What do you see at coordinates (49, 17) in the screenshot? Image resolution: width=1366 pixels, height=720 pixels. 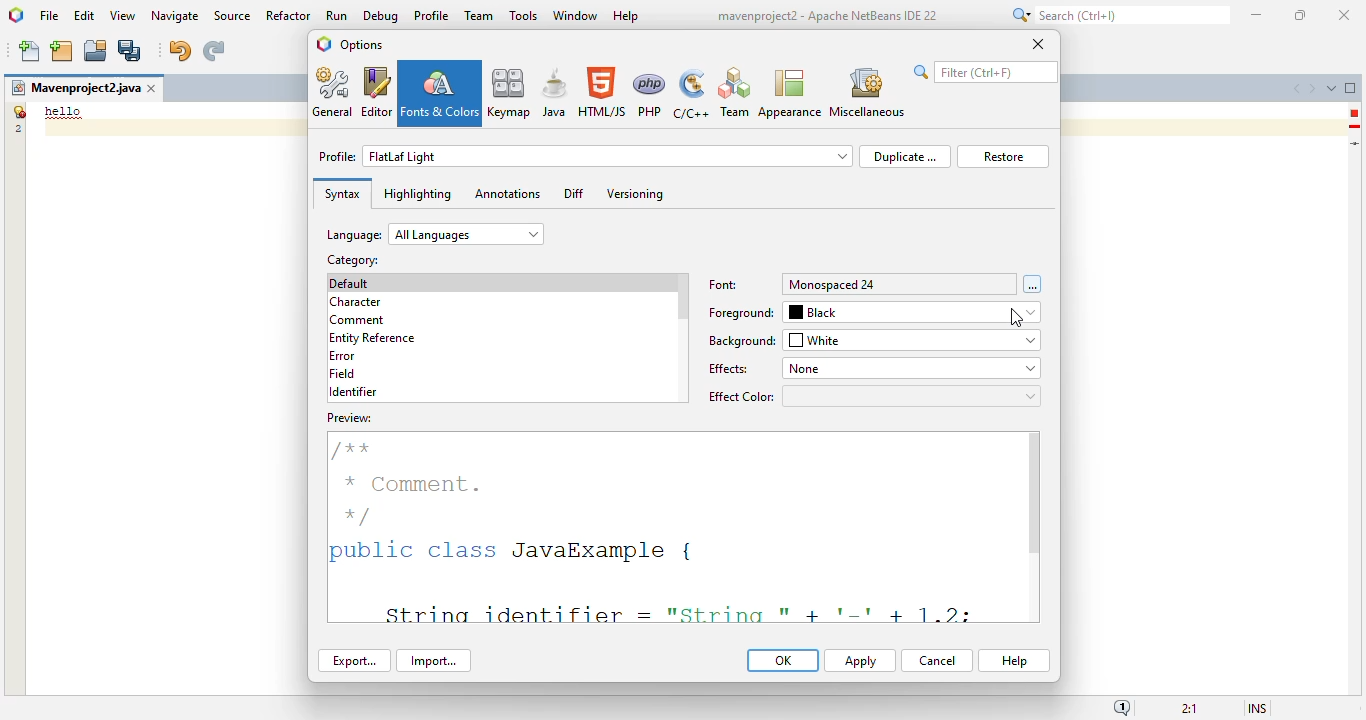 I see `file` at bounding box center [49, 17].